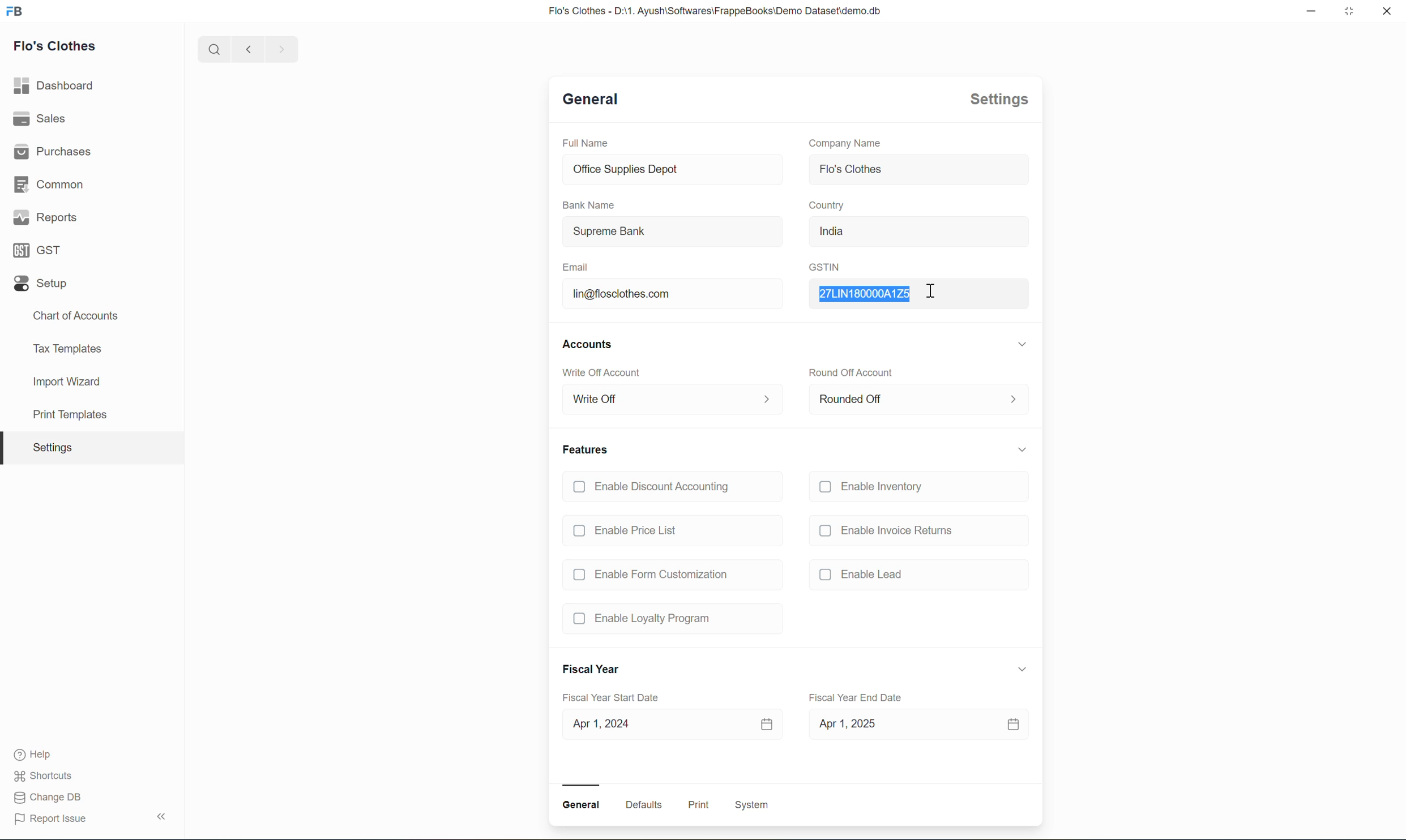 This screenshot has height=840, width=1406. Describe the element at coordinates (998, 100) in the screenshot. I see `Settings` at that location.